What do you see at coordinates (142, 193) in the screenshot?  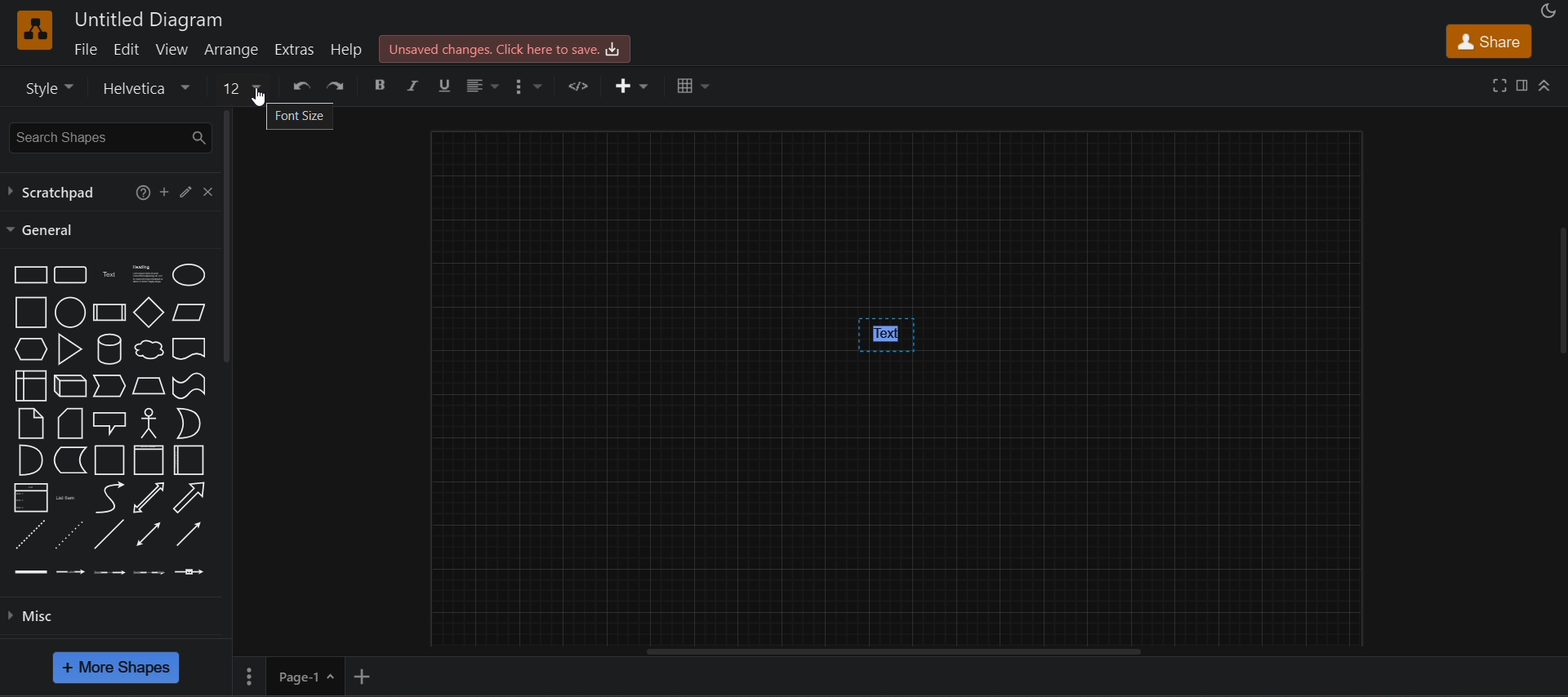 I see `help` at bounding box center [142, 193].